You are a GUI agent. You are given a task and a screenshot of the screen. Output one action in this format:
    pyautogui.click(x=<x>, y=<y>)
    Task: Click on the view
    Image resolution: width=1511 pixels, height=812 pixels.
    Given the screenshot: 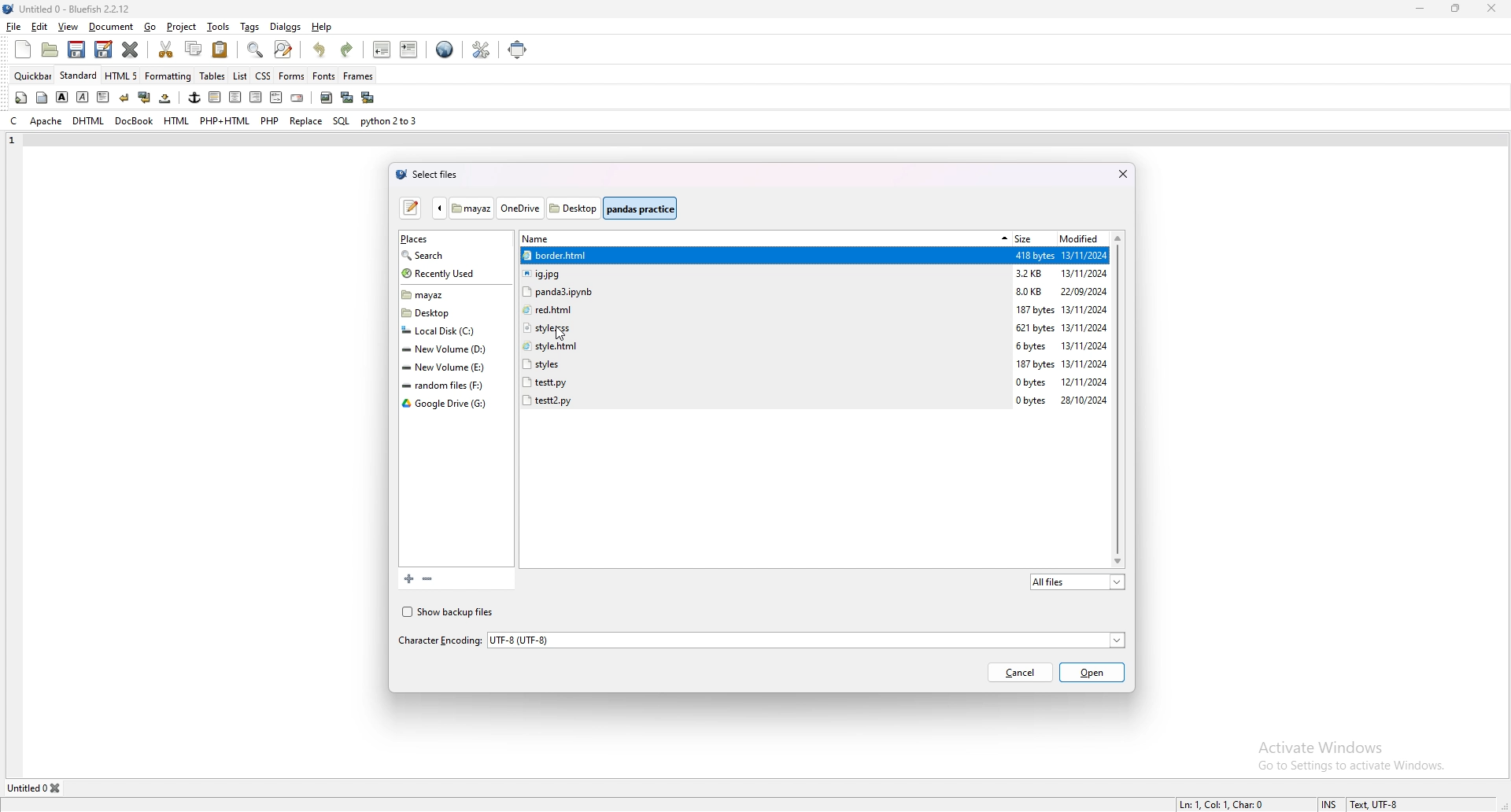 What is the action you would take?
    pyautogui.click(x=68, y=27)
    